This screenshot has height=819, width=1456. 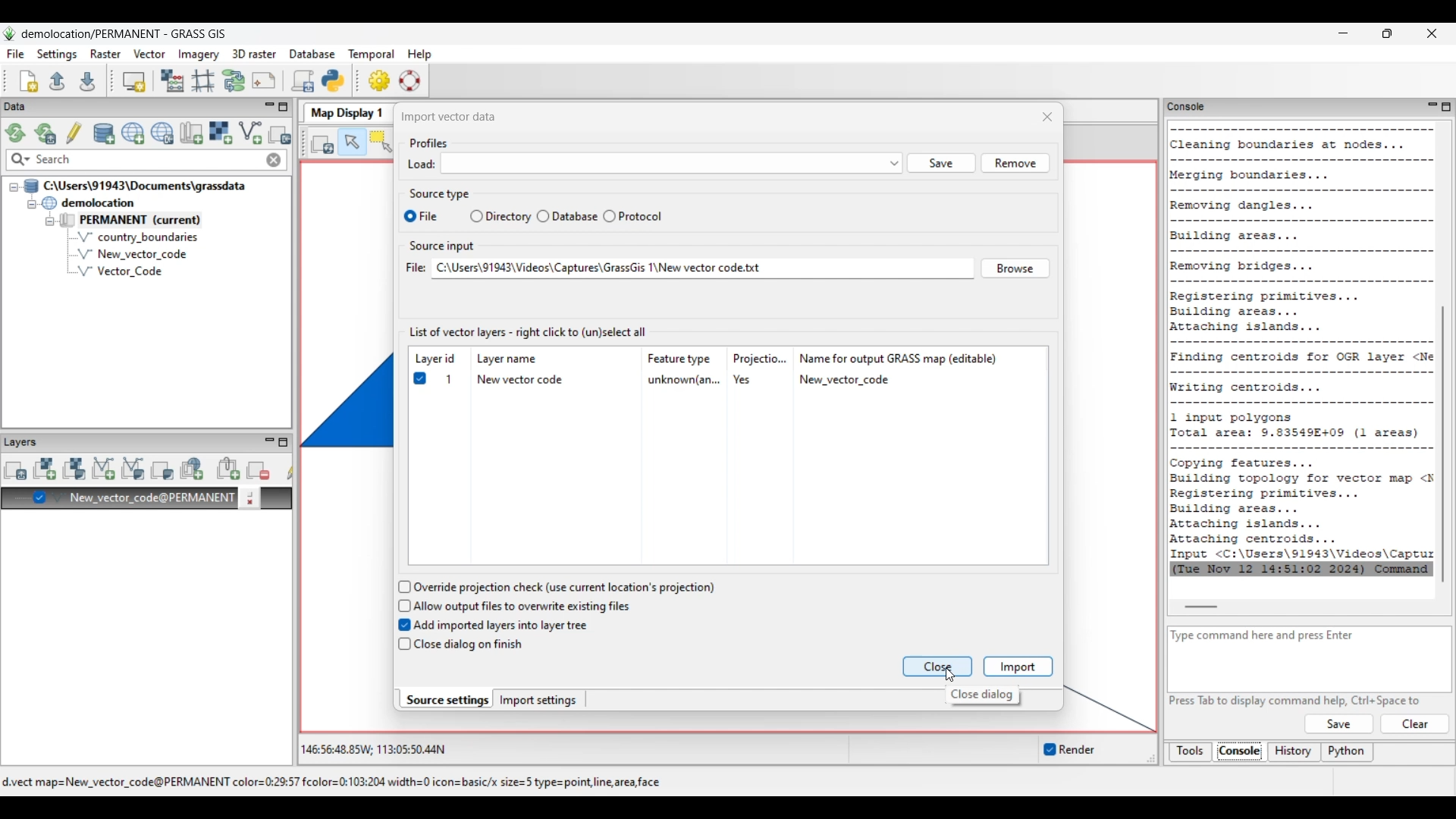 What do you see at coordinates (203, 81) in the screenshot?
I see `Georectifier` at bounding box center [203, 81].